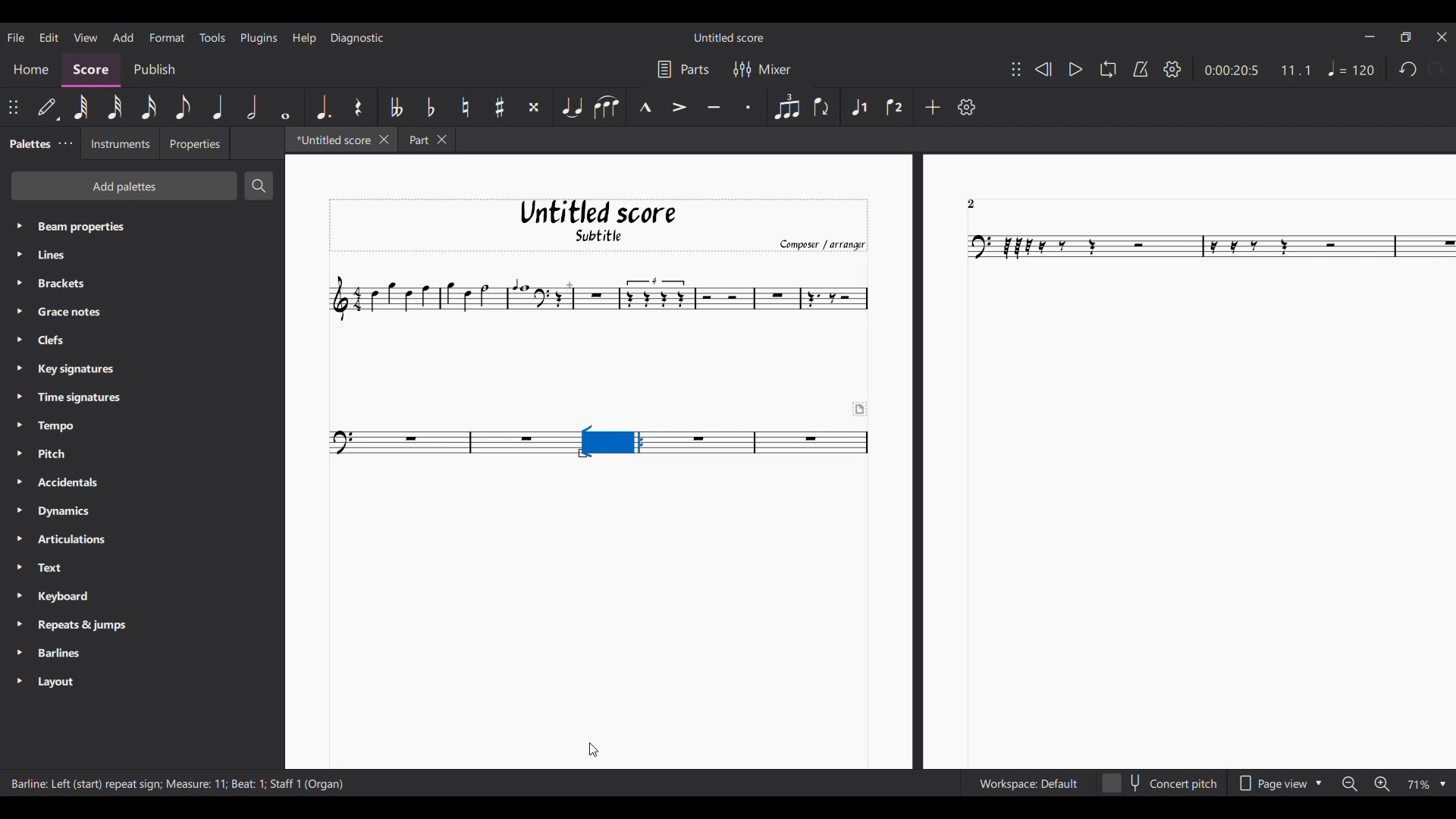 The height and width of the screenshot is (819, 1456). What do you see at coordinates (178, 783) in the screenshot?
I see `Description of current selection` at bounding box center [178, 783].